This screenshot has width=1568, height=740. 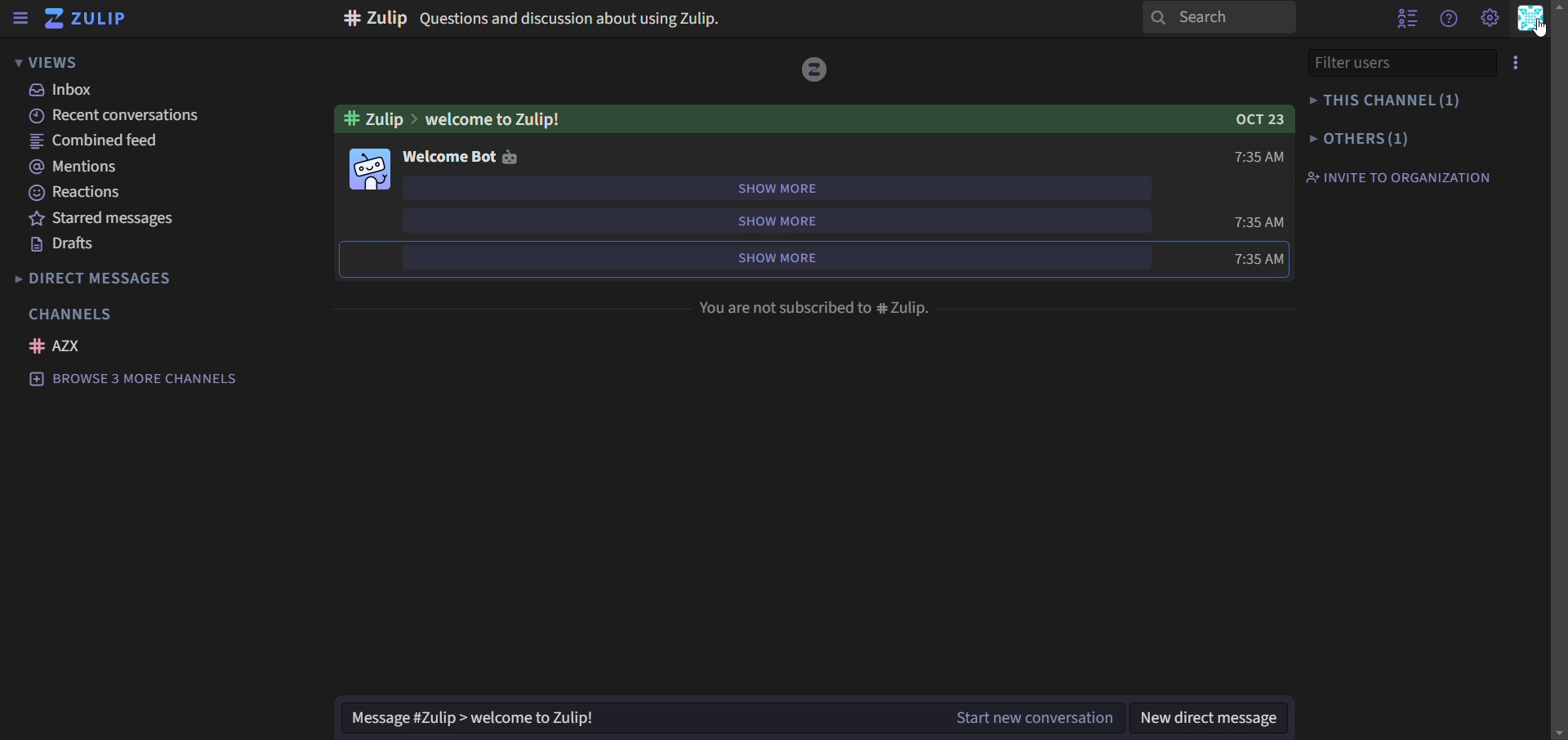 What do you see at coordinates (1218, 18) in the screenshot?
I see `search` at bounding box center [1218, 18].